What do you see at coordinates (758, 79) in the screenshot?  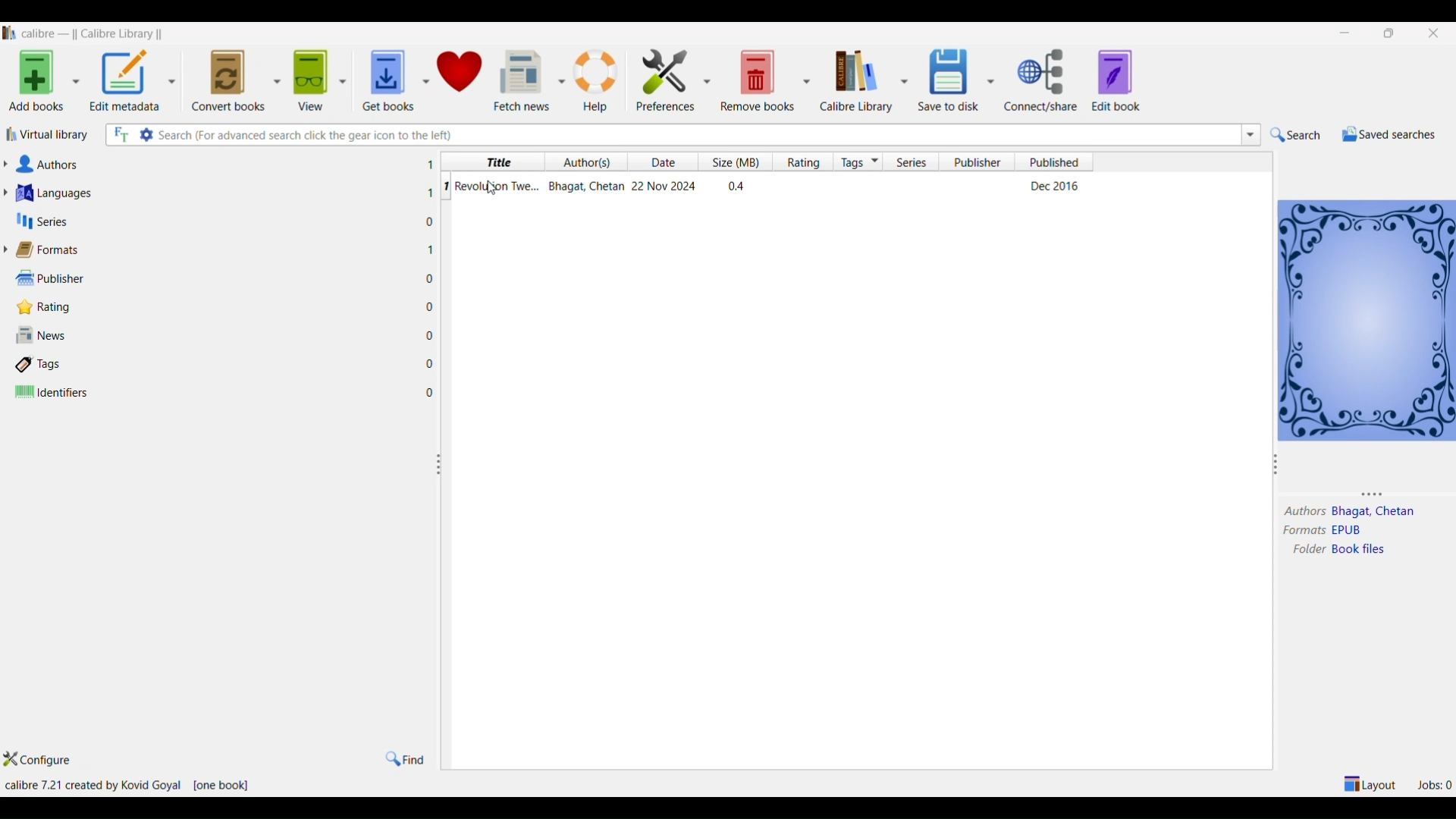 I see `remove books` at bounding box center [758, 79].